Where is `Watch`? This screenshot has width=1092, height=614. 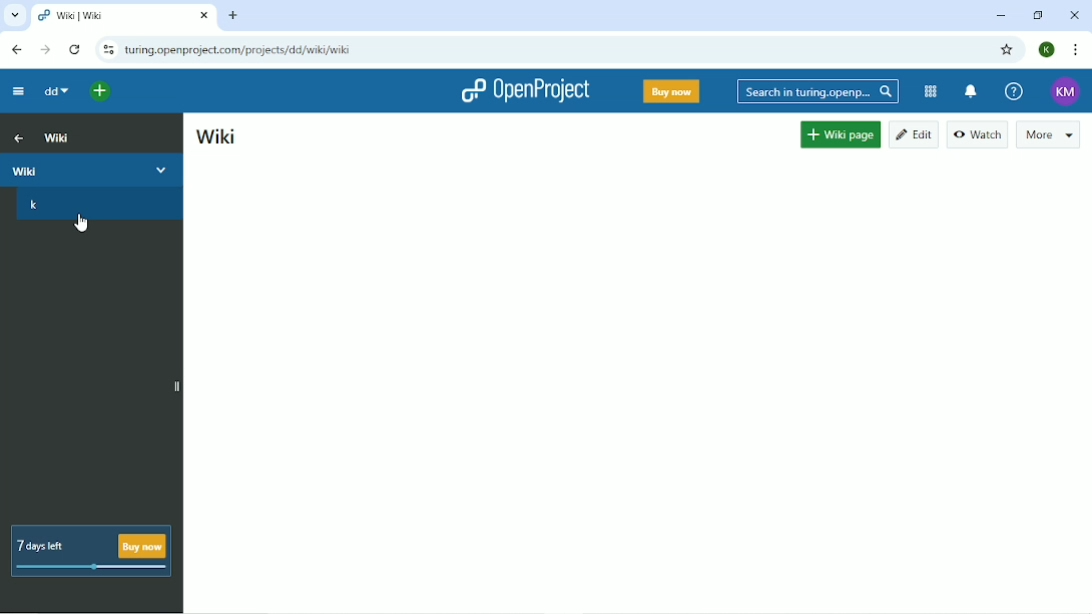 Watch is located at coordinates (976, 134).